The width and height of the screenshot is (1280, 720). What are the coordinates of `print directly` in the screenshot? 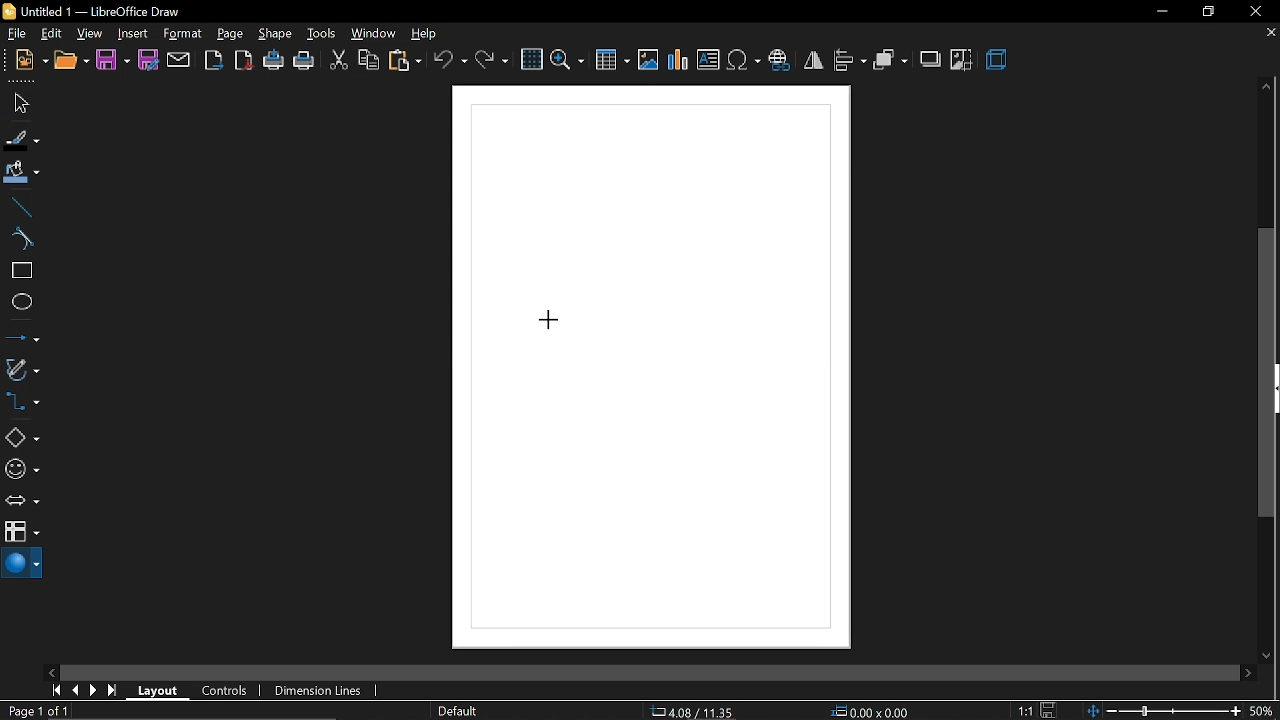 It's located at (274, 62).